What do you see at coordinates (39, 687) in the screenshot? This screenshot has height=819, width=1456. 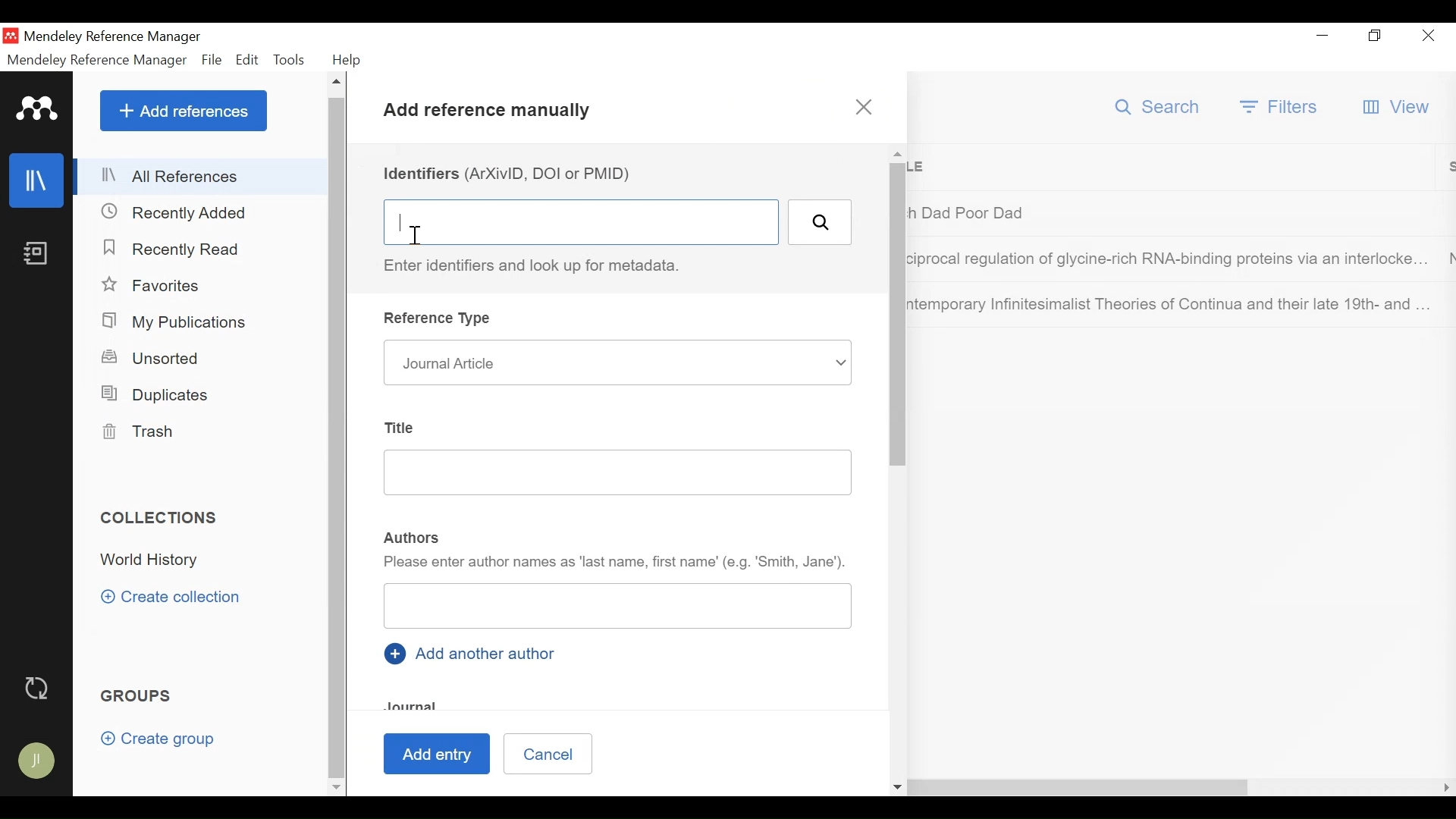 I see `Sync` at bounding box center [39, 687].